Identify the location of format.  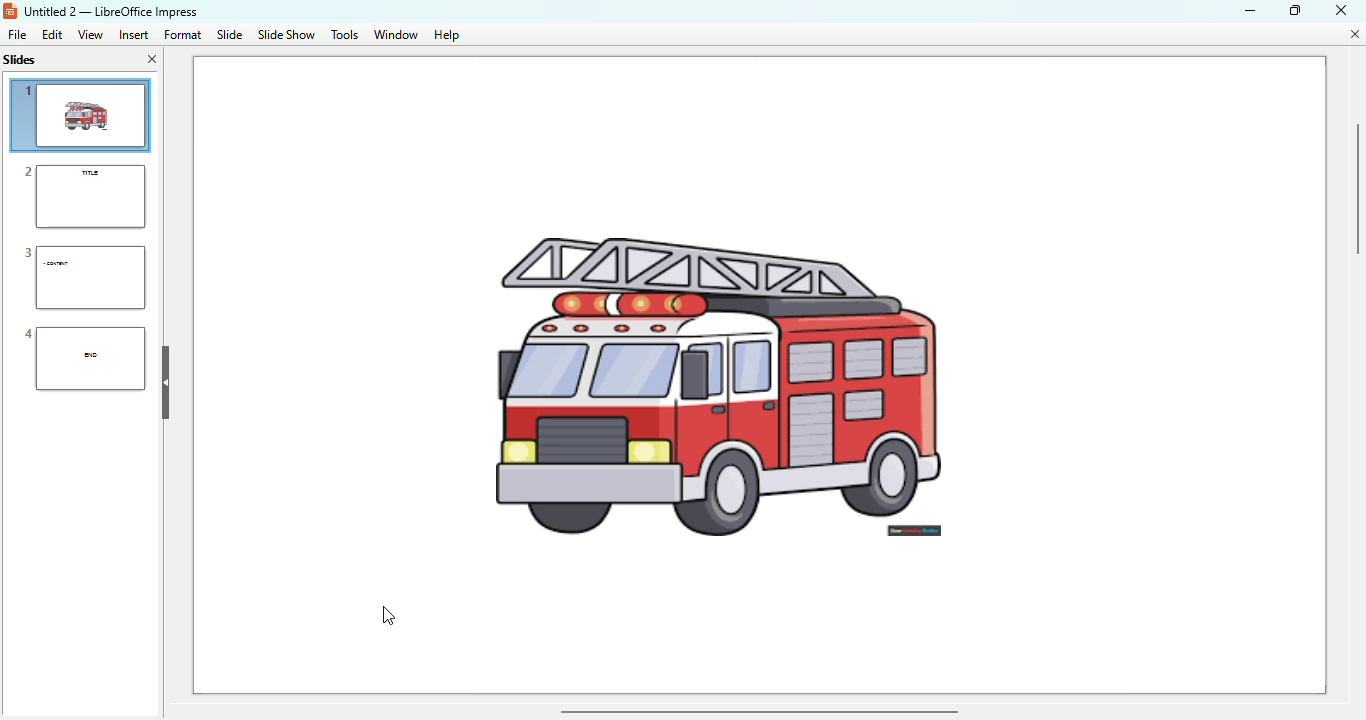
(182, 34).